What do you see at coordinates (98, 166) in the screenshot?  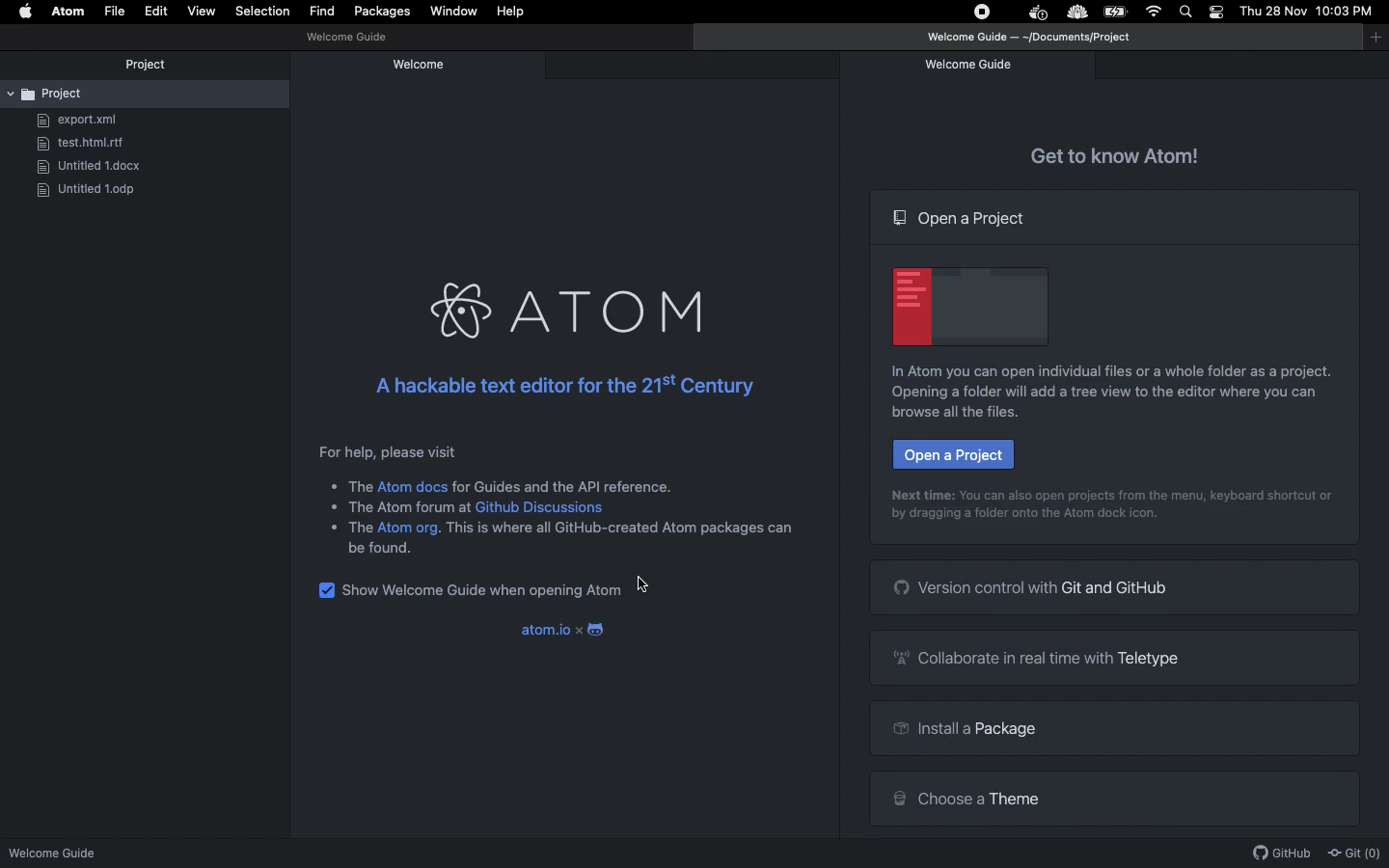 I see `Untitled.docx` at bounding box center [98, 166].